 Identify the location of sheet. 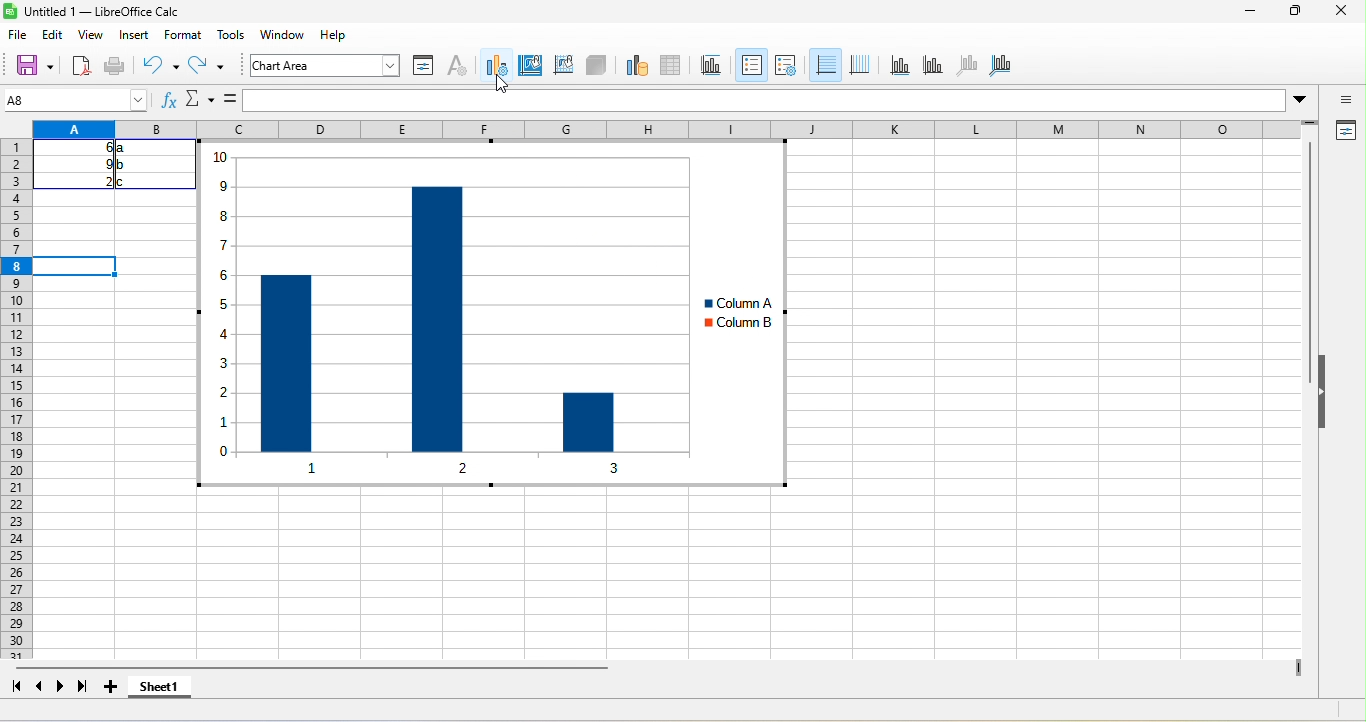
(277, 32).